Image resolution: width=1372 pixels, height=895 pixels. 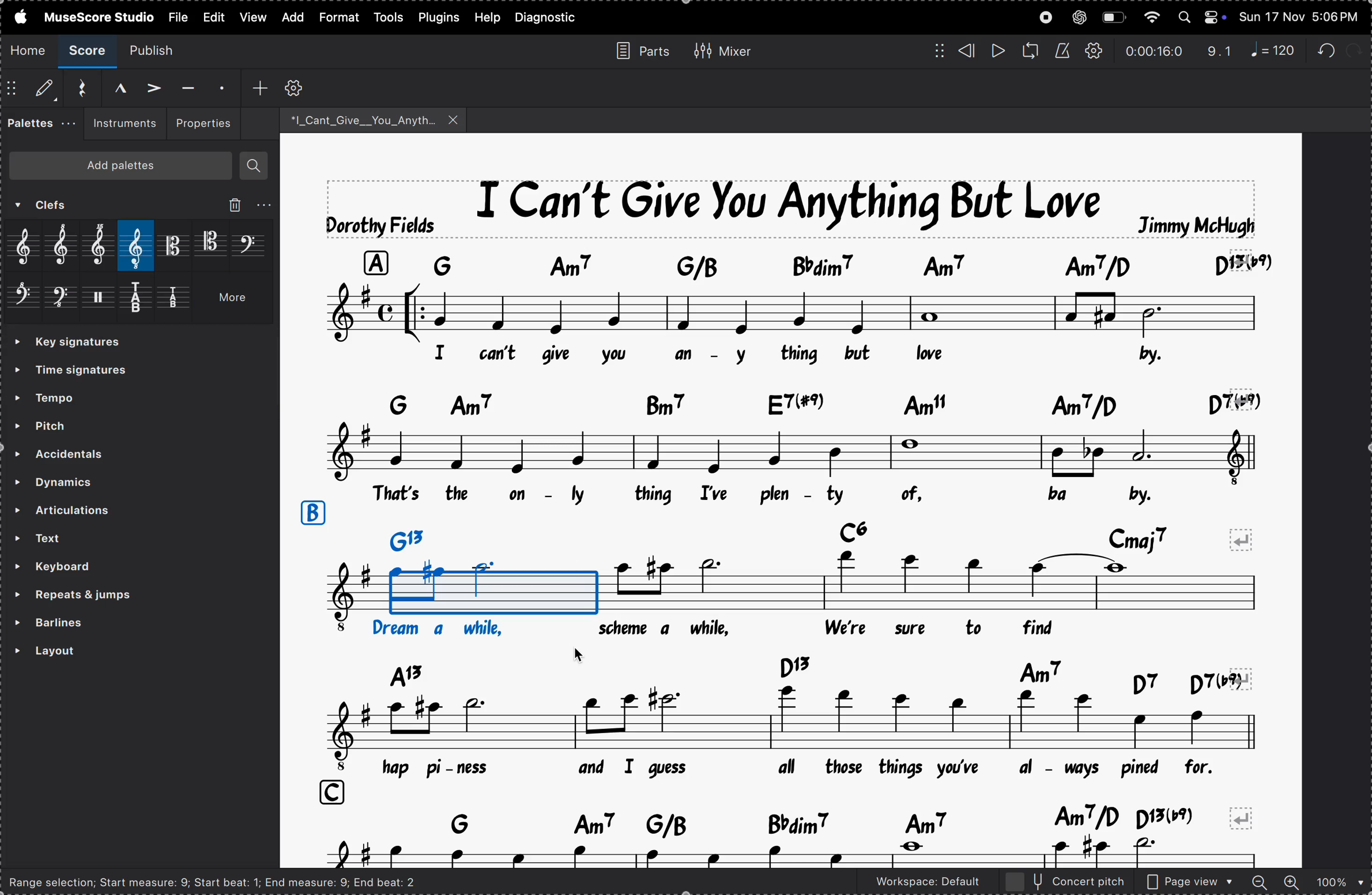 I want to click on pitch, so click(x=77, y=424).